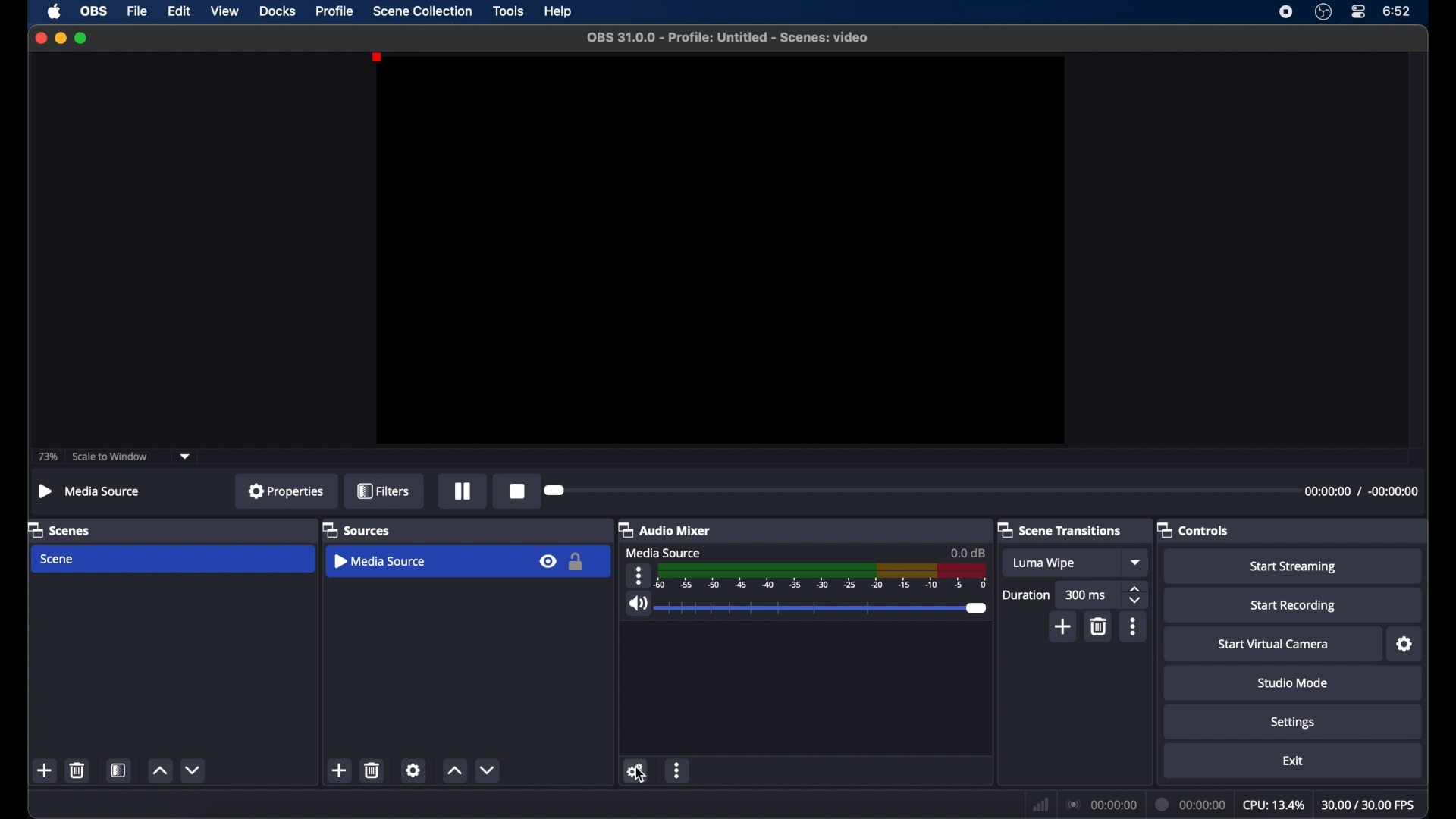  What do you see at coordinates (641, 775) in the screenshot?
I see `cursor` at bounding box center [641, 775].